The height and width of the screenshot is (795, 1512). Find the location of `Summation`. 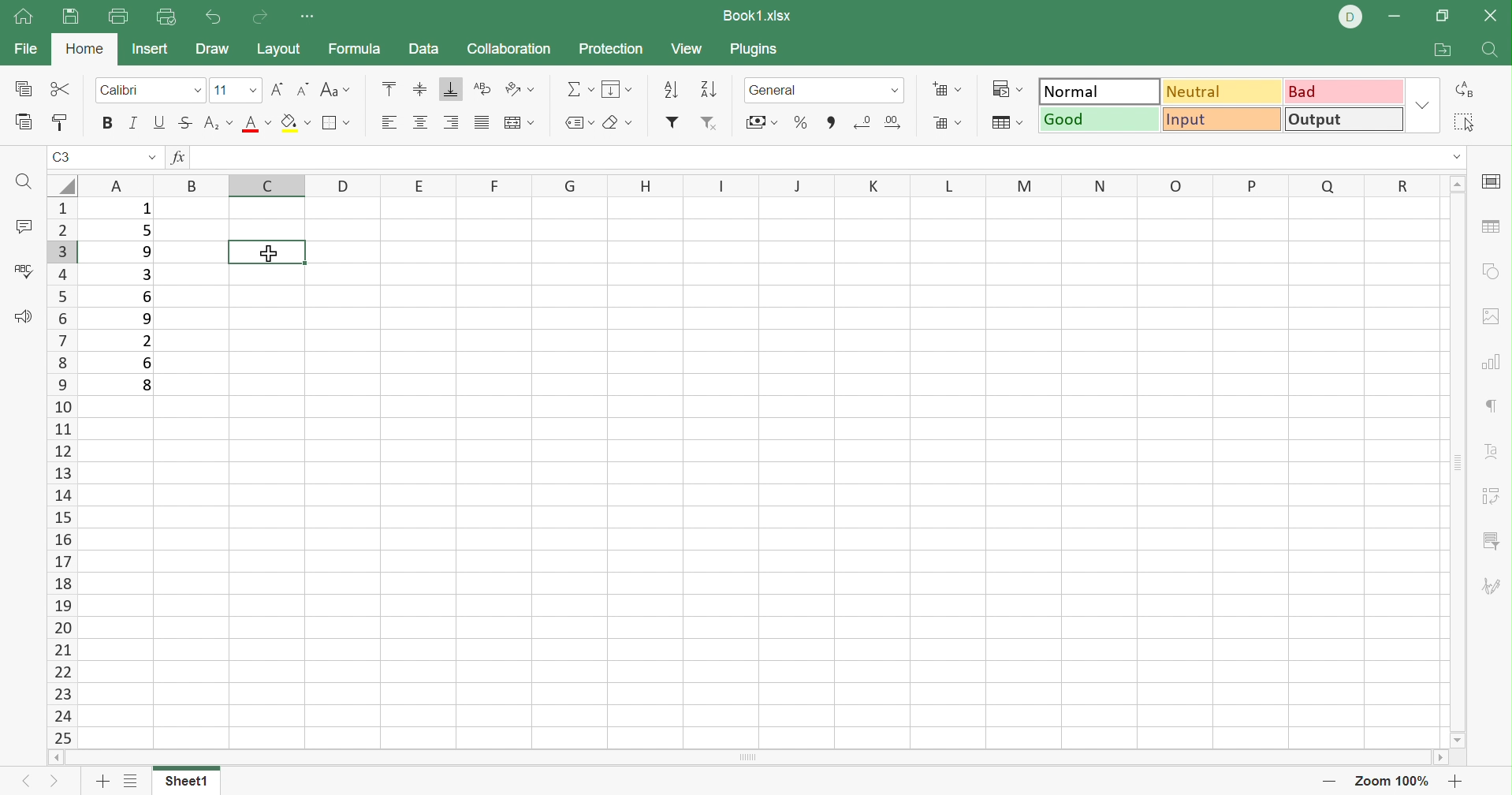

Summation is located at coordinates (578, 90).